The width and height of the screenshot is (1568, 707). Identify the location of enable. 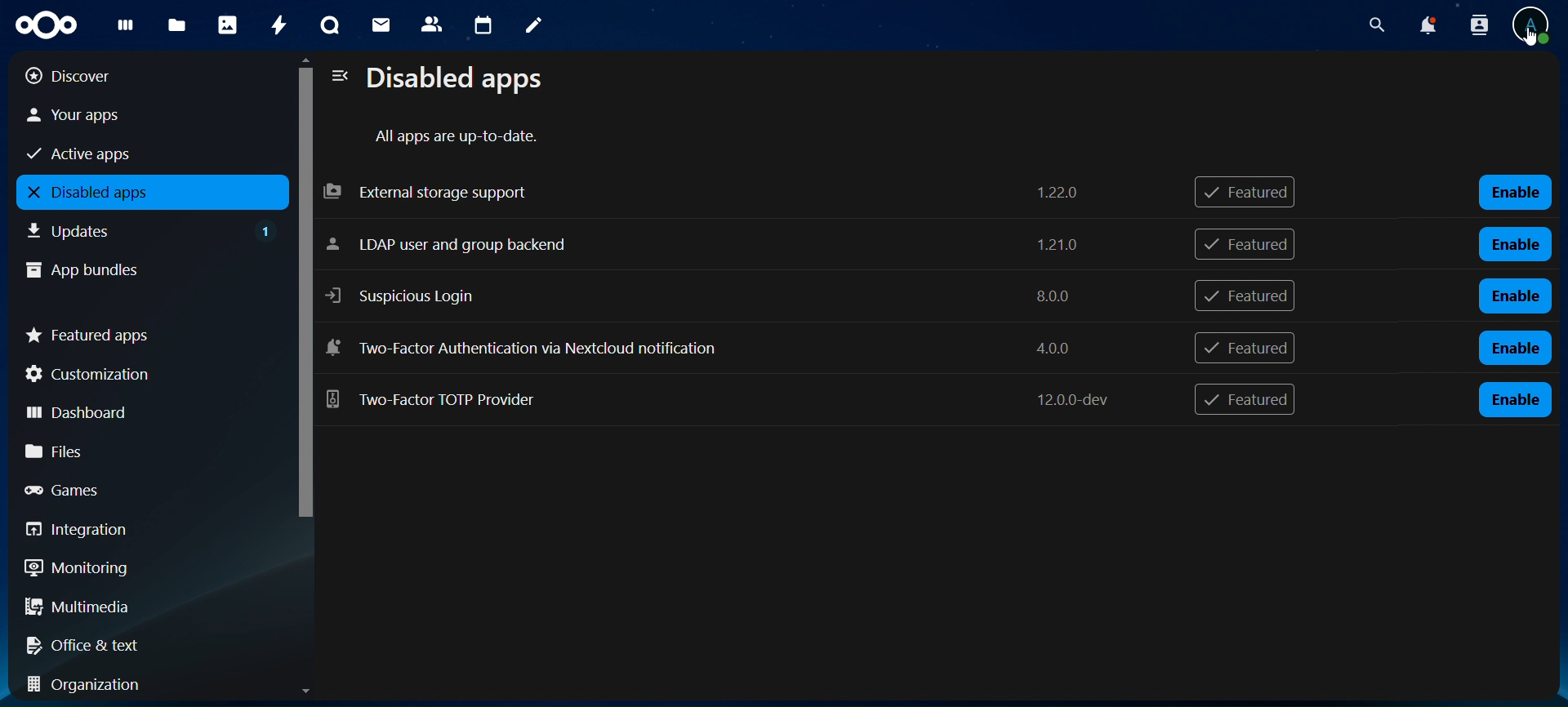
(1514, 349).